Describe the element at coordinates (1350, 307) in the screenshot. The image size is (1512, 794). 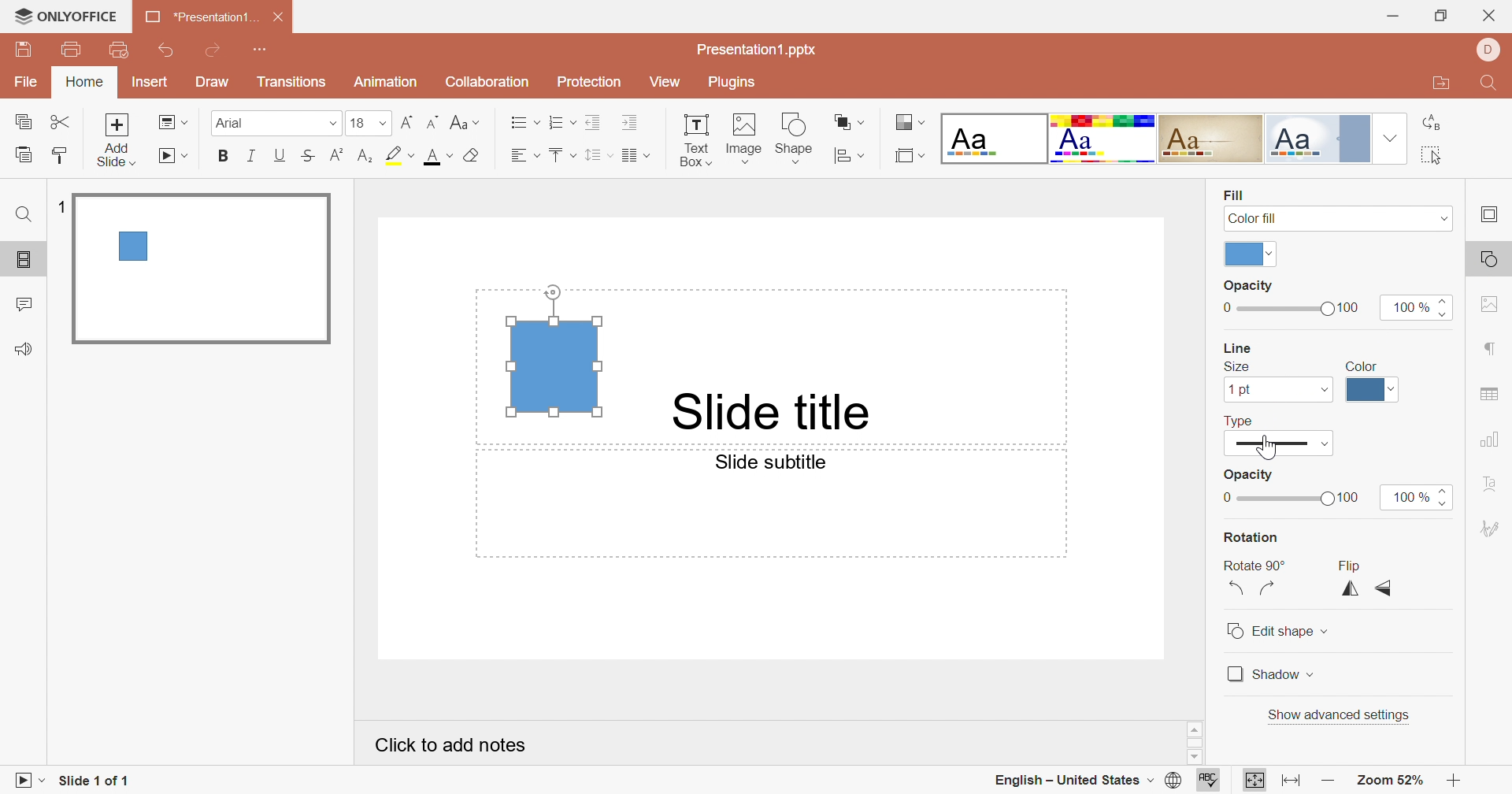
I see `100` at that location.